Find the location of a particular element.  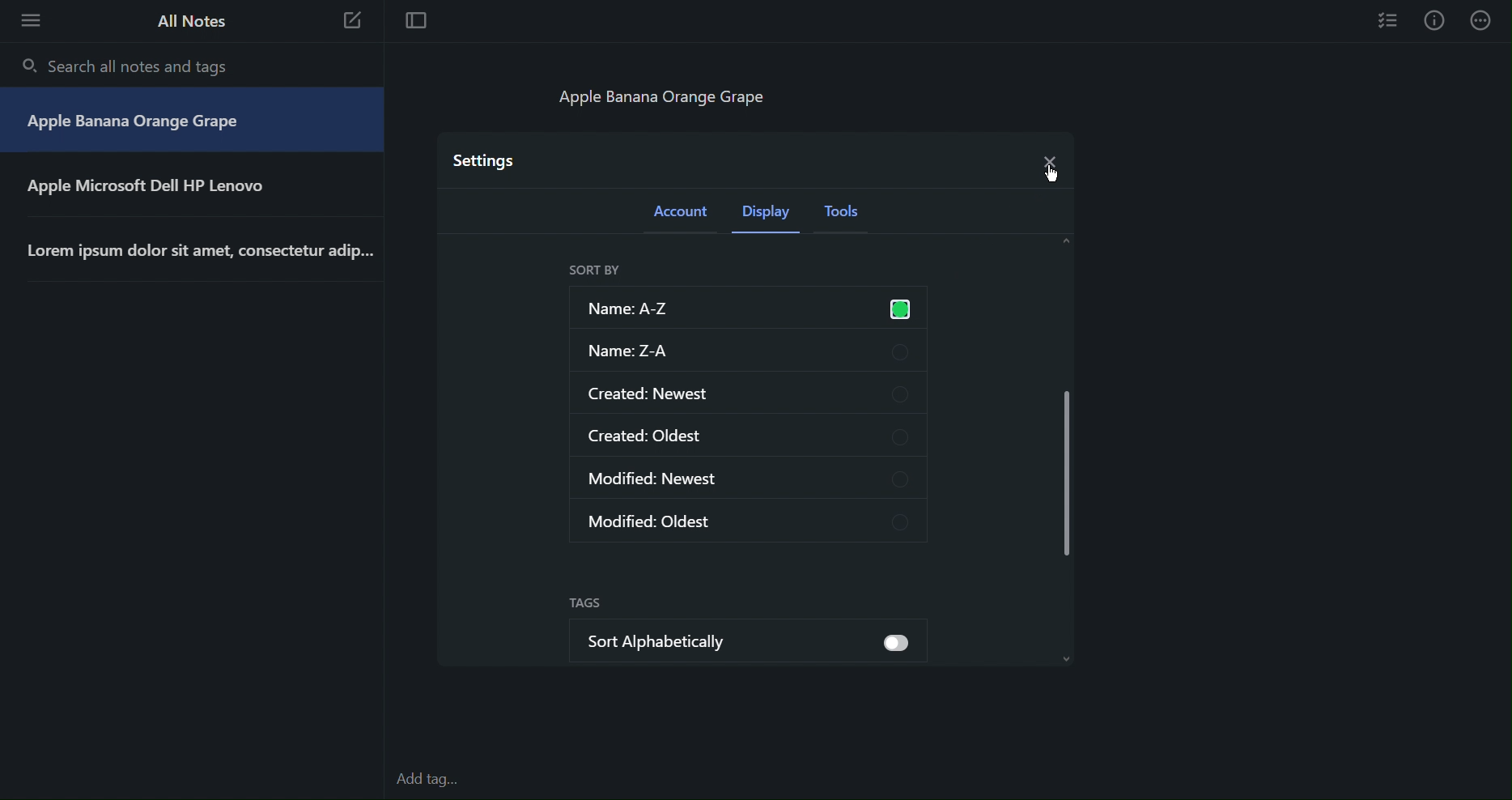

vertical slider is located at coordinates (1068, 466).